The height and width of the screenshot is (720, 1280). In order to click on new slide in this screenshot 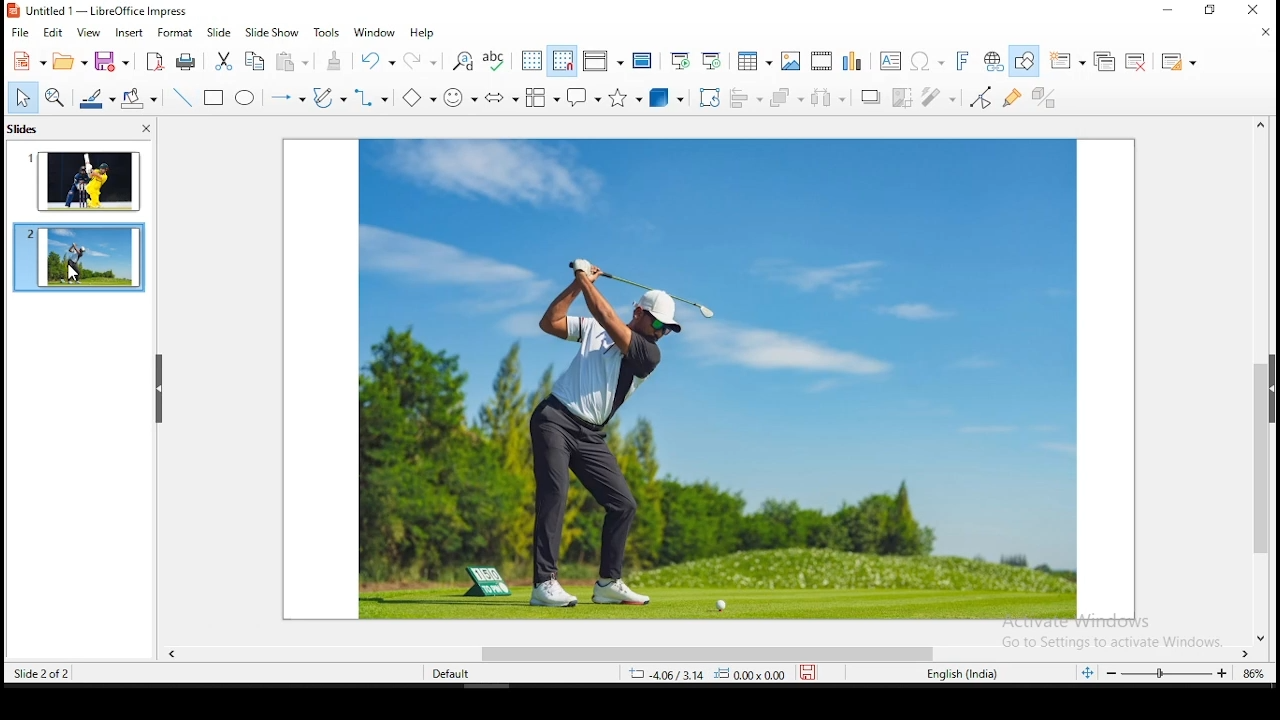, I will do `click(1069, 59)`.